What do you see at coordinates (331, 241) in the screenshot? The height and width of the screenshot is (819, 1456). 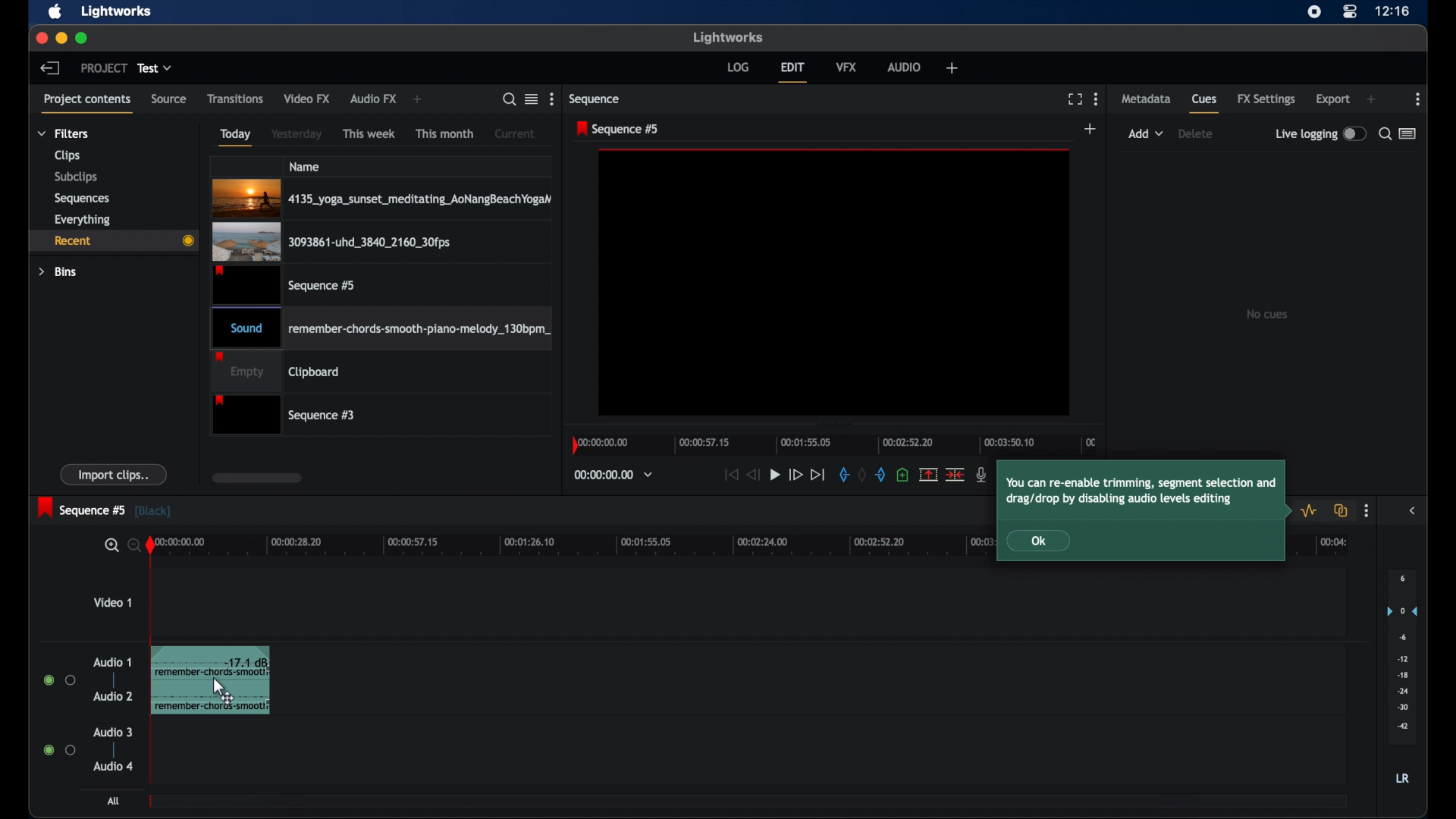 I see ` 3093861-uhd_3840_2160_30fps` at bounding box center [331, 241].